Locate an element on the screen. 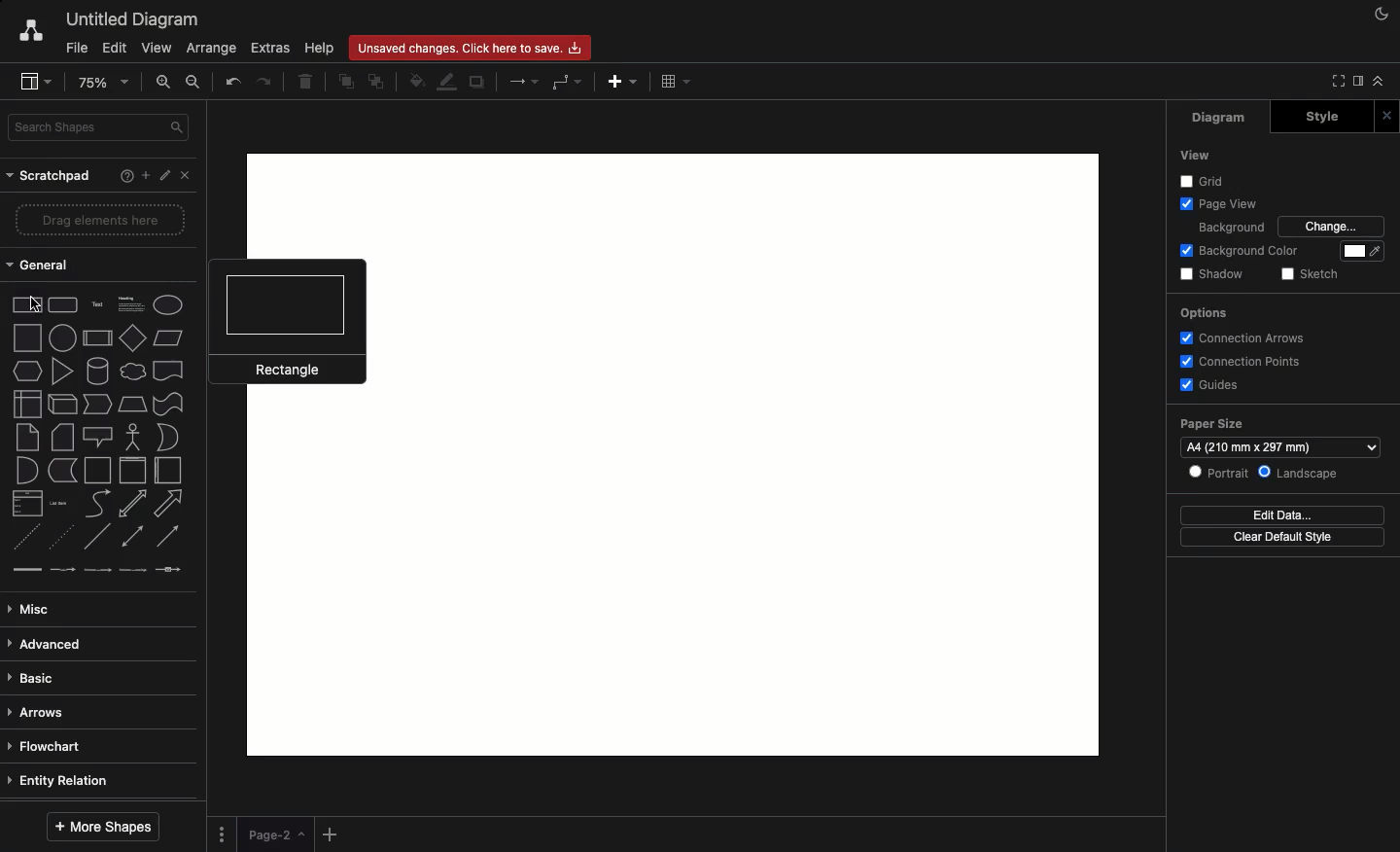  Close is located at coordinates (1386, 116).